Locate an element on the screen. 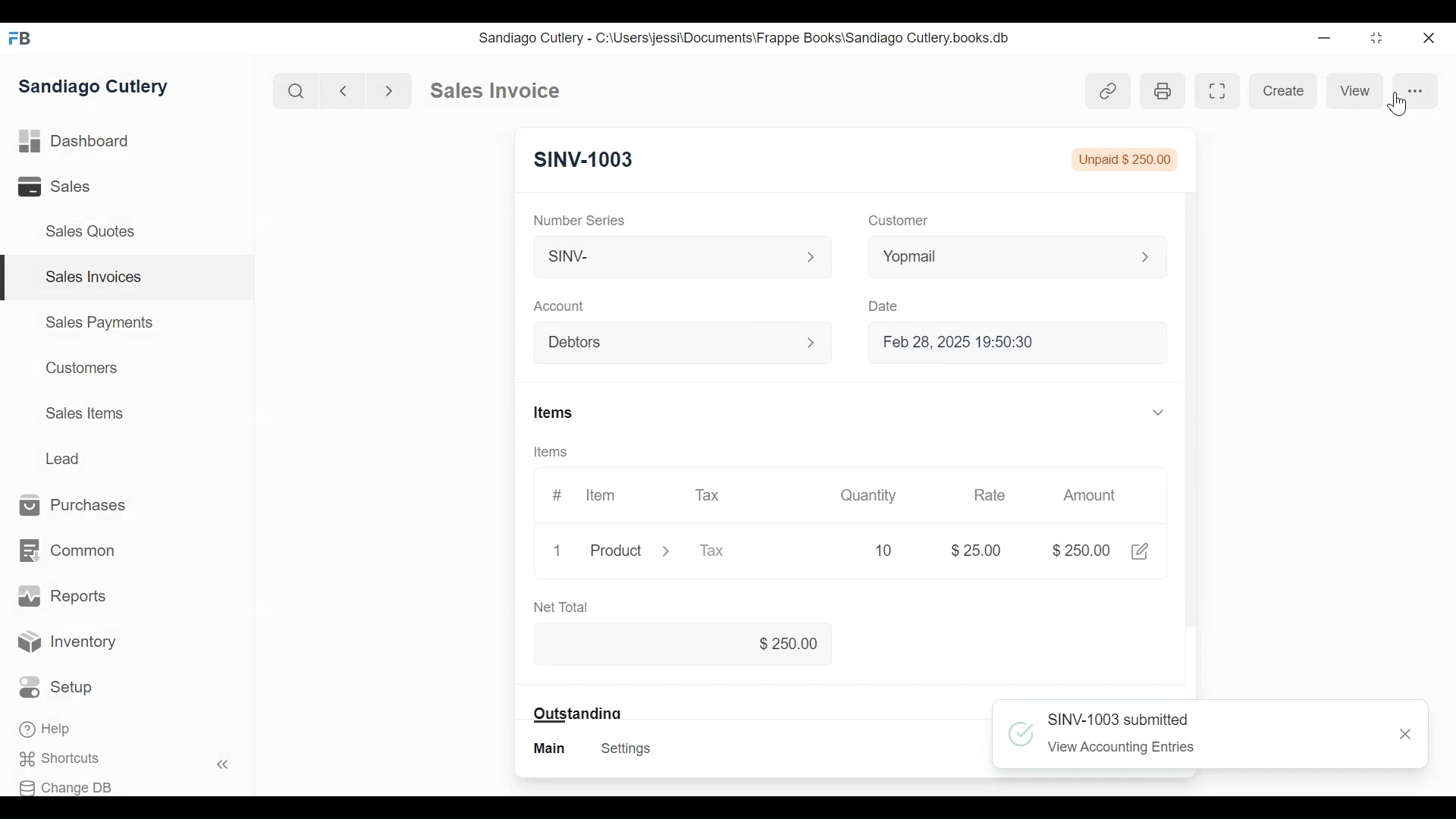  SINV-1003 is located at coordinates (585, 160).